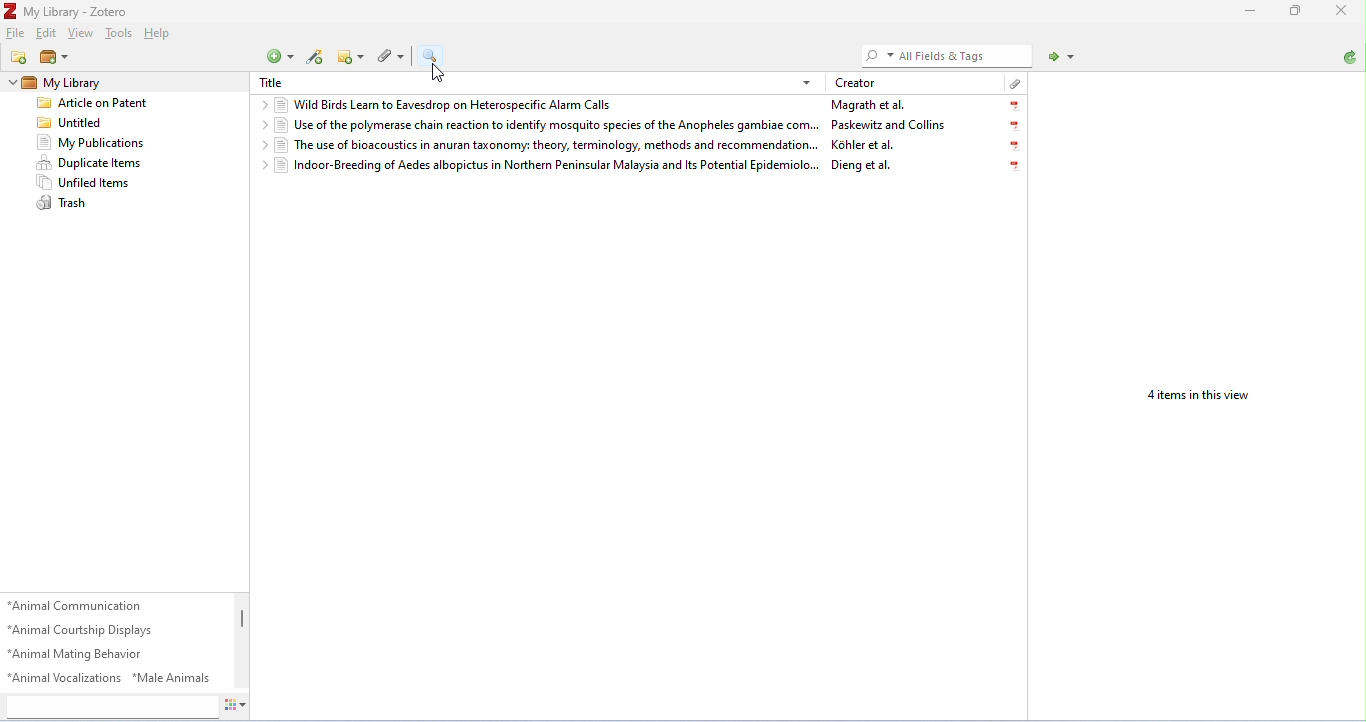 This screenshot has width=1366, height=722. Describe the element at coordinates (868, 105) in the screenshot. I see `Magrath et al.` at that location.